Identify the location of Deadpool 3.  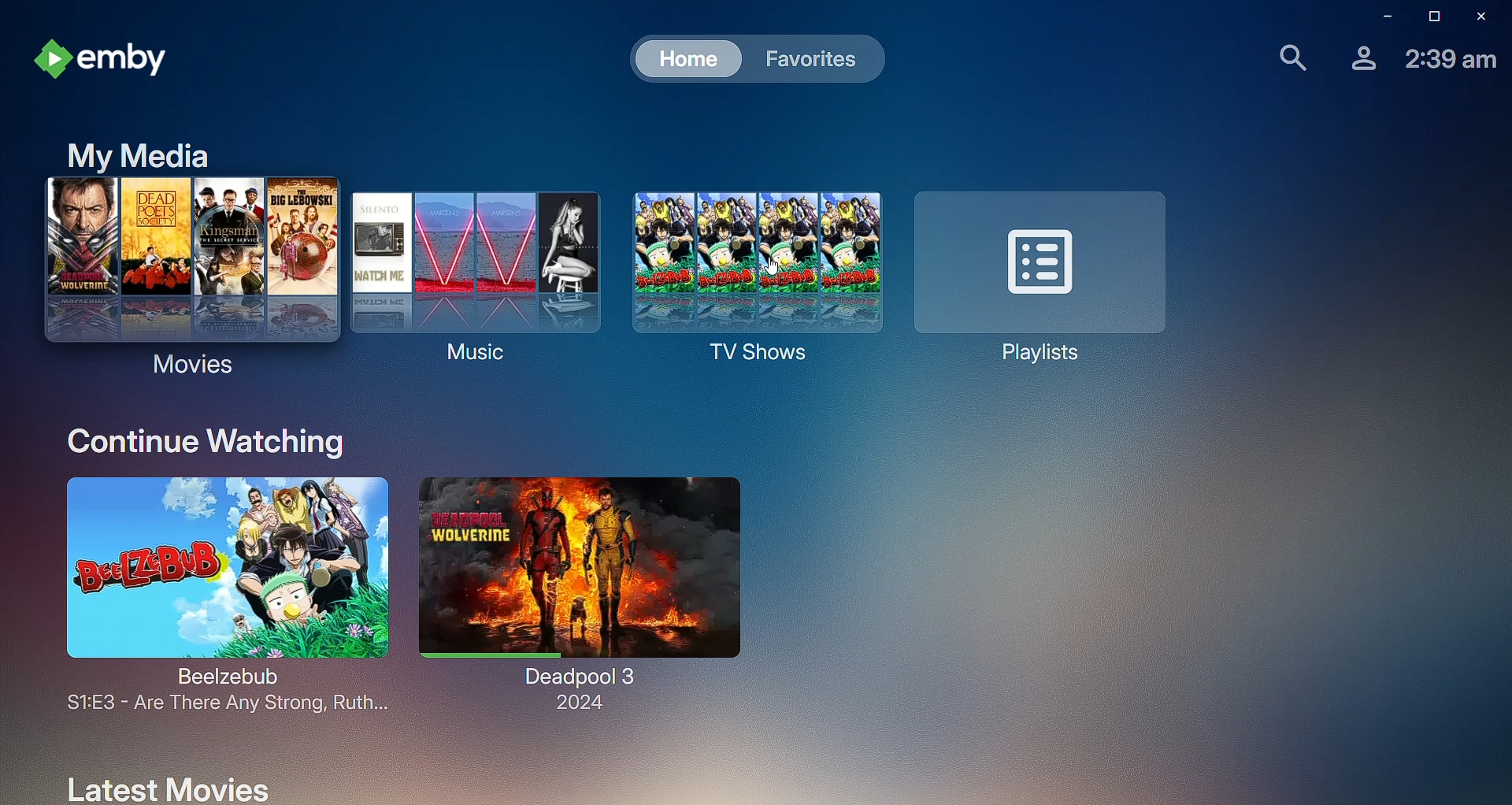
(576, 595).